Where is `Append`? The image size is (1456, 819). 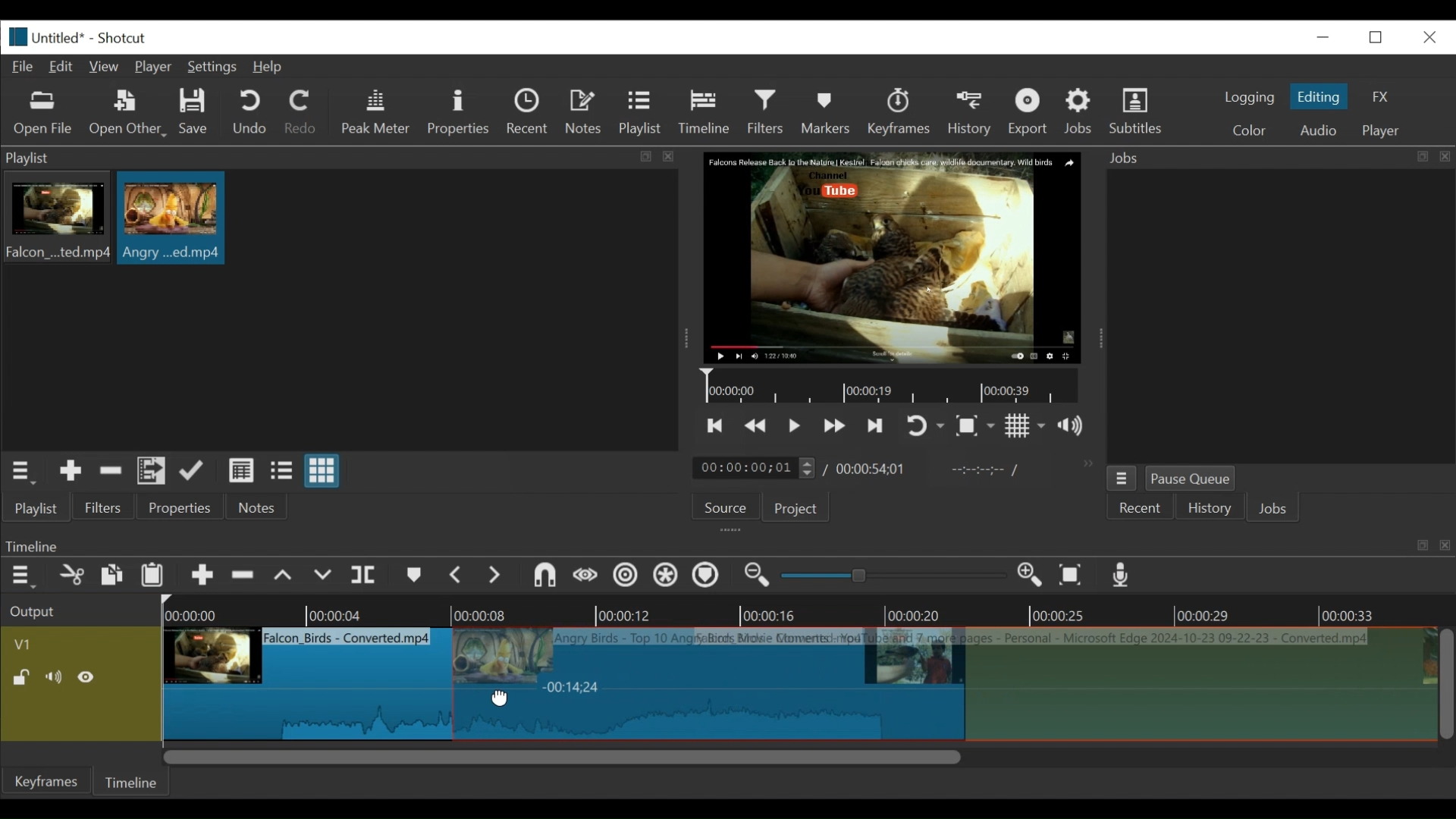
Append is located at coordinates (202, 579).